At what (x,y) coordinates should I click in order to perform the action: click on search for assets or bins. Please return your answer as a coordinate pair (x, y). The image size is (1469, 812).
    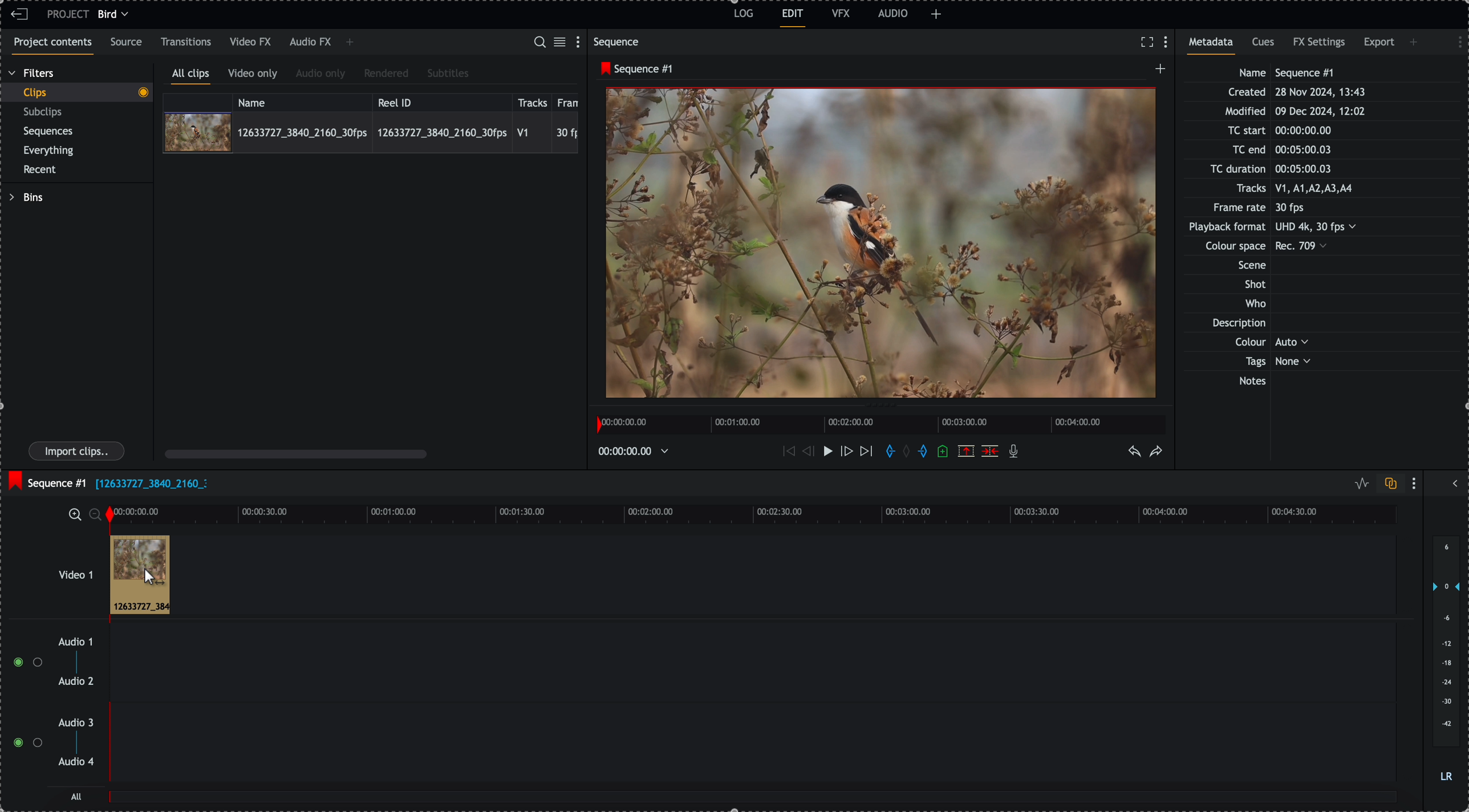
    Looking at the image, I should click on (539, 43).